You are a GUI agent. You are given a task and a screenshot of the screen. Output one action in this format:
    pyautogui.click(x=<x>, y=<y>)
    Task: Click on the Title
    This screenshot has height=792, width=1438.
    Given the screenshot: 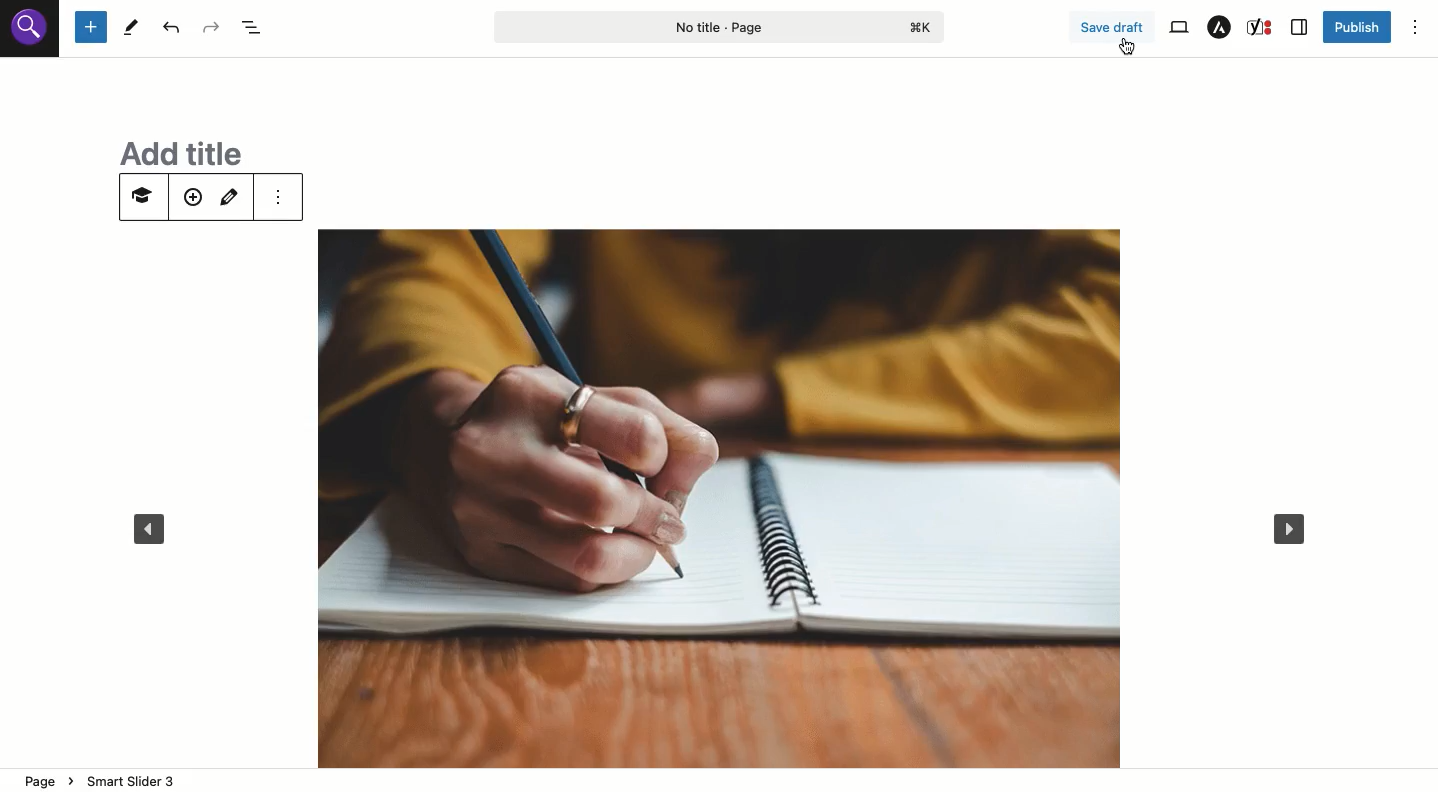 What is the action you would take?
    pyautogui.click(x=172, y=150)
    